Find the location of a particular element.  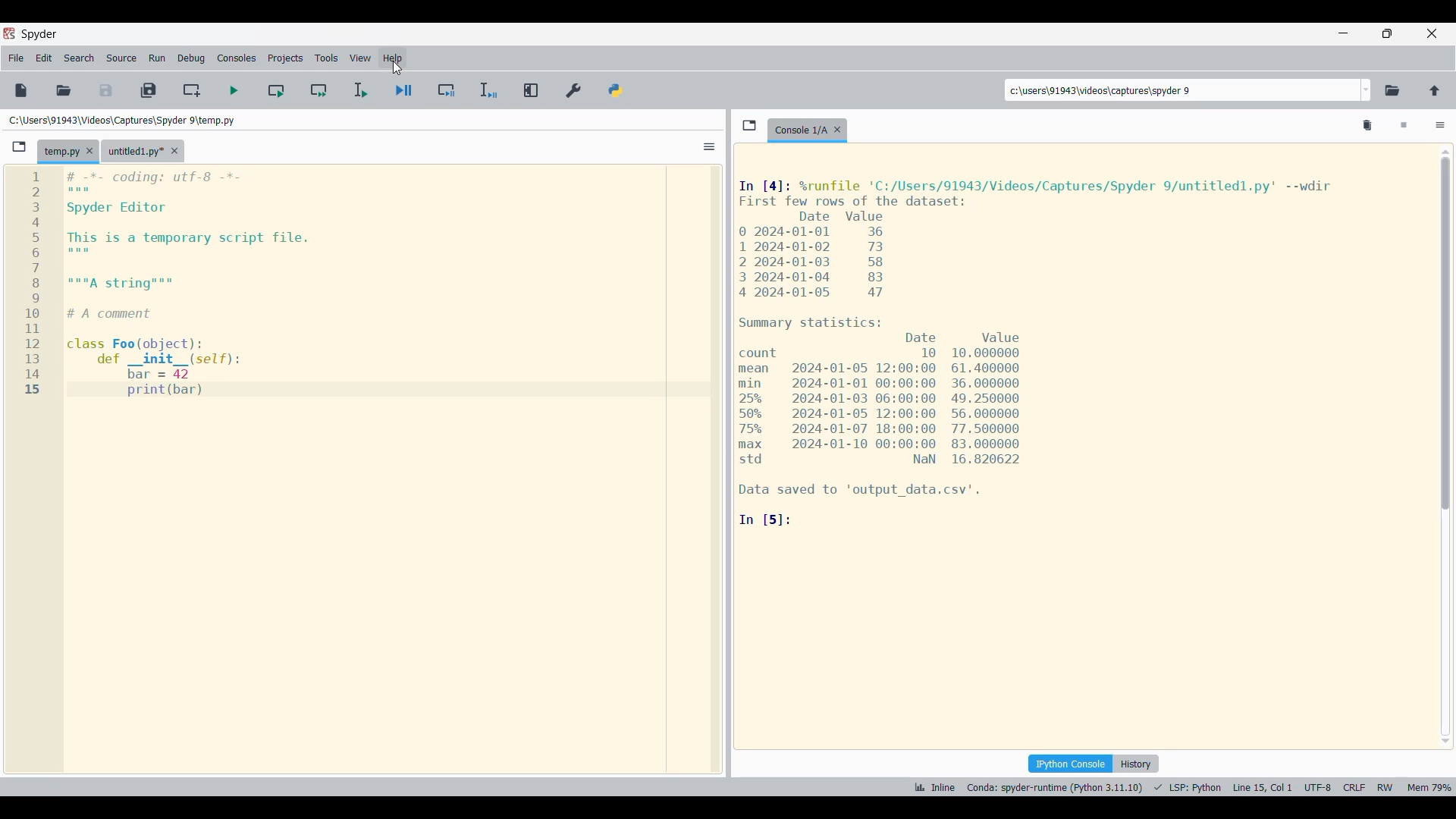

Save file is located at coordinates (105, 90).